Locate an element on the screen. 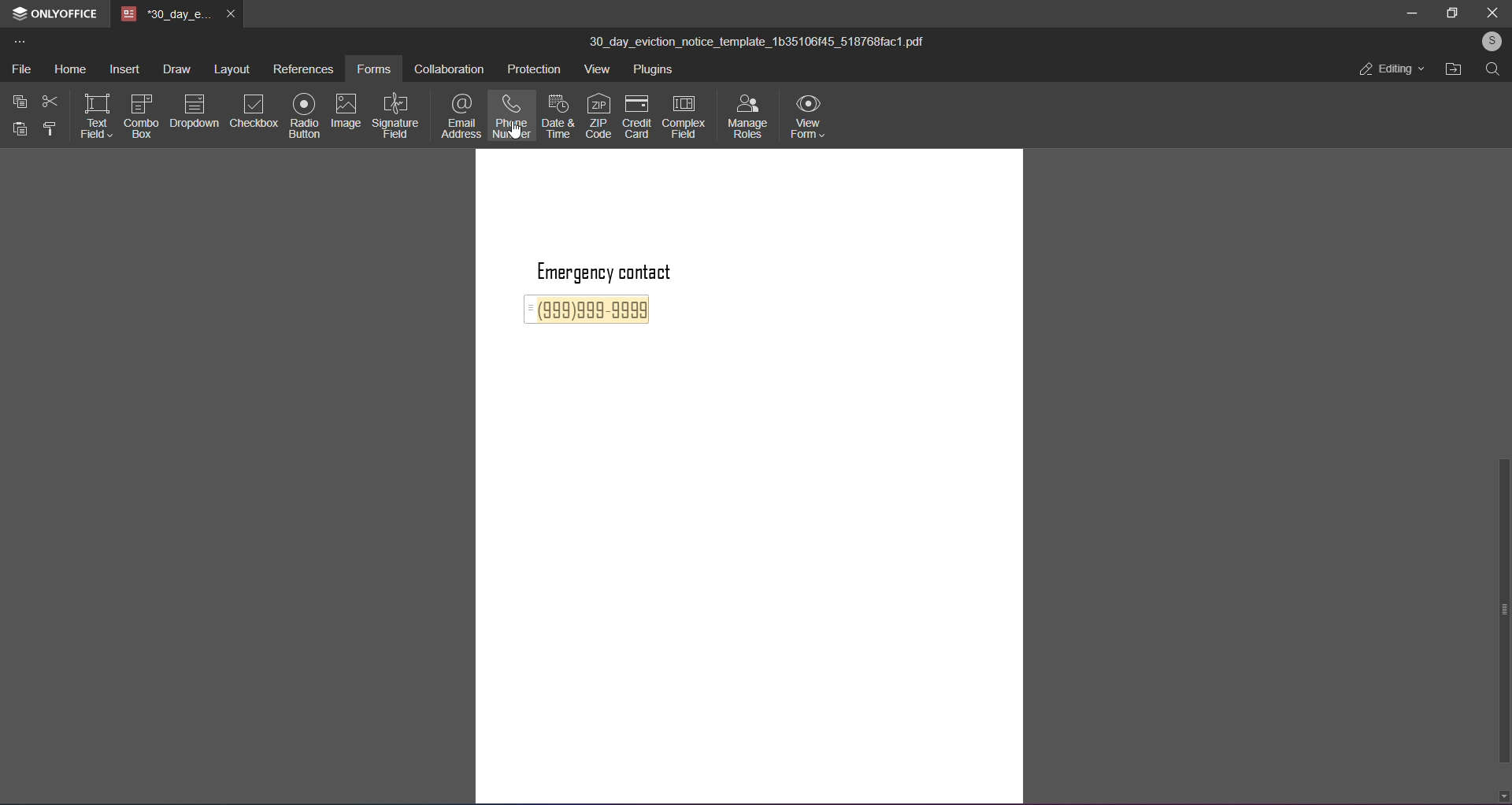 The image size is (1512, 805). radio button is located at coordinates (305, 117).